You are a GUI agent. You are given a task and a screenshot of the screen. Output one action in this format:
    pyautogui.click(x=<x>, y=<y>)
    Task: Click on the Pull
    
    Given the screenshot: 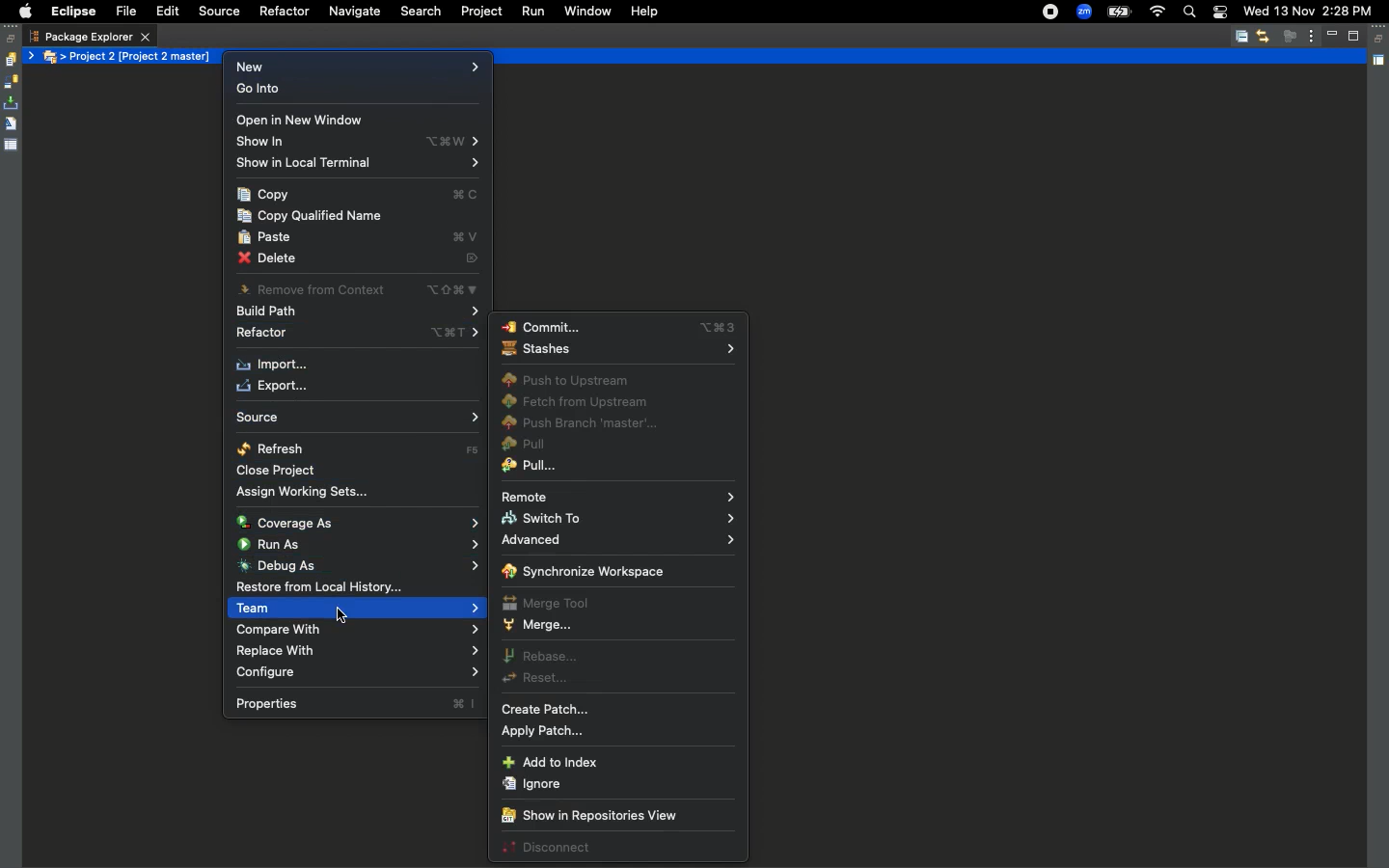 What is the action you would take?
    pyautogui.click(x=531, y=468)
    